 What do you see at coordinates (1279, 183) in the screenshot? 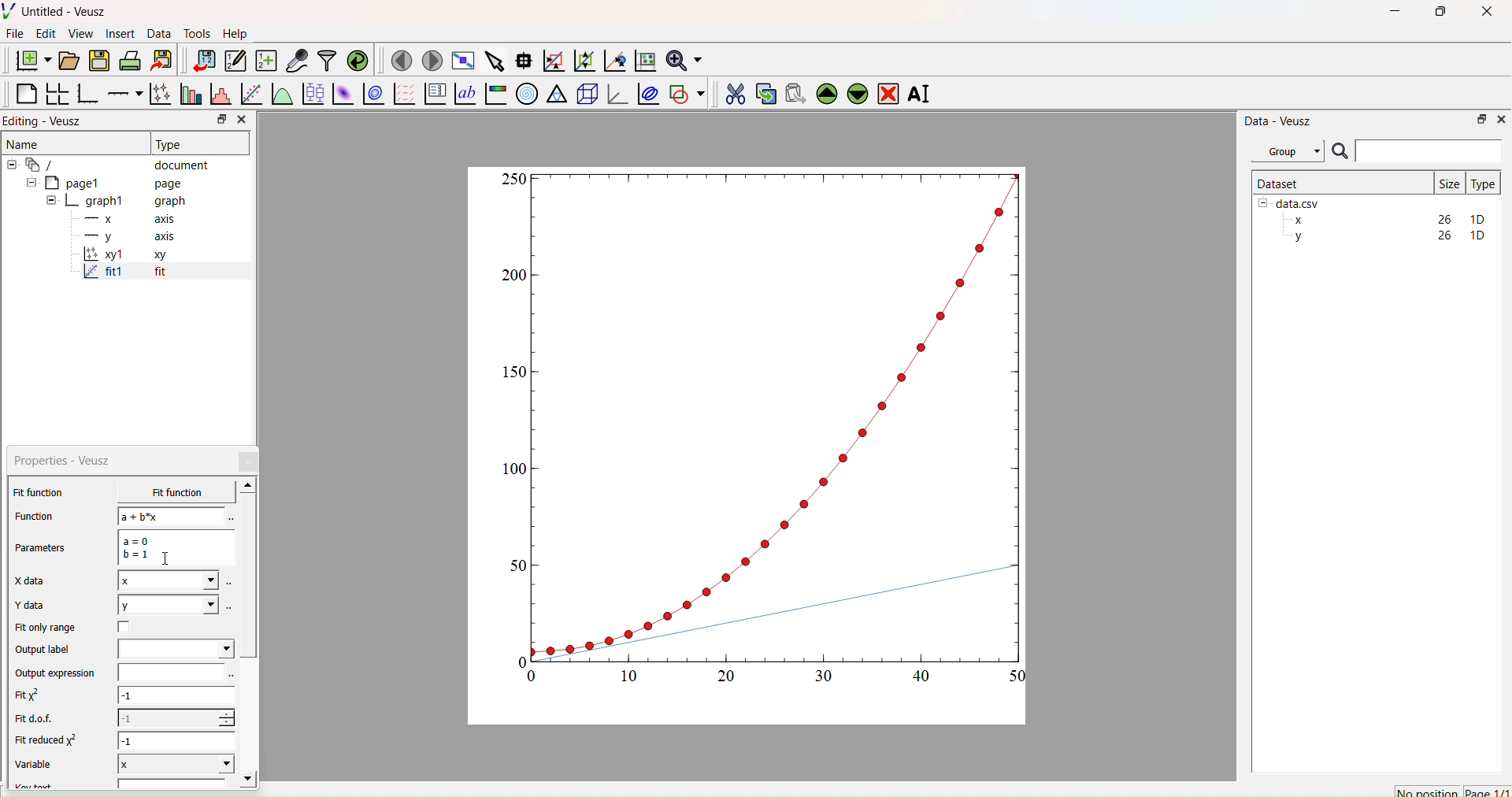
I see `Dataset` at bounding box center [1279, 183].